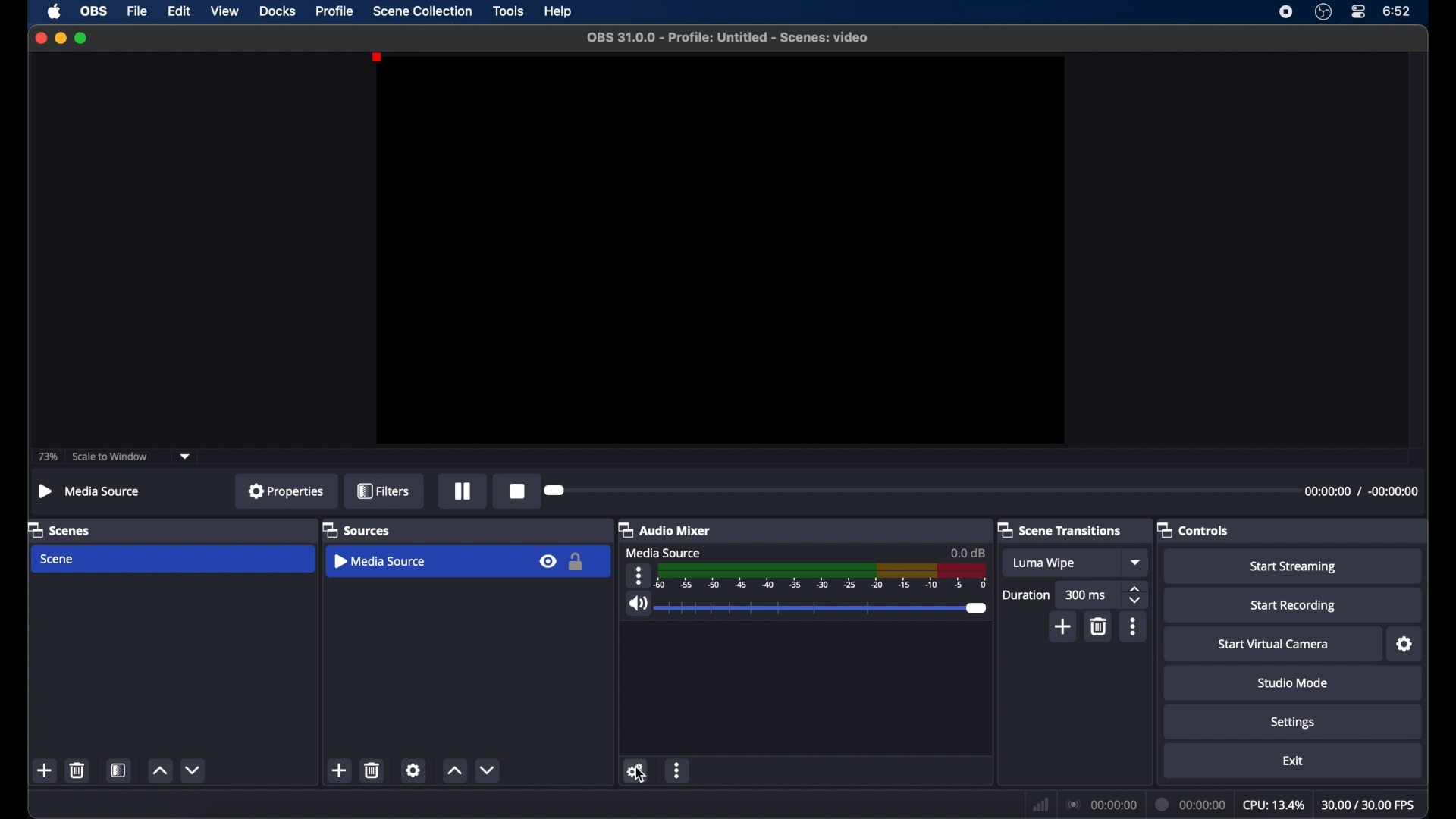 Image resolution: width=1456 pixels, height=819 pixels. I want to click on preview, so click(720, 249).